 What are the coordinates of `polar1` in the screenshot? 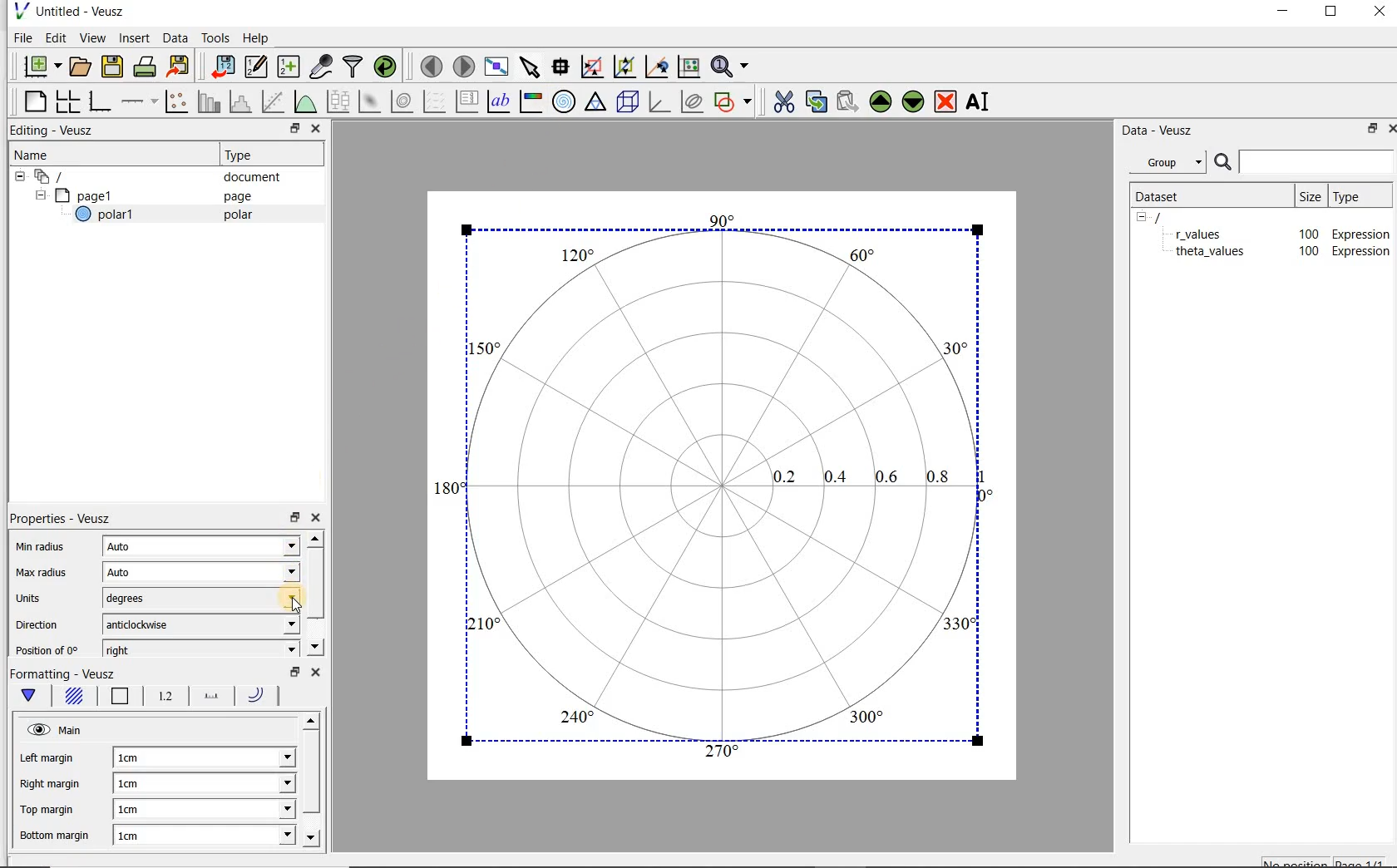 It's located at (112, 216).